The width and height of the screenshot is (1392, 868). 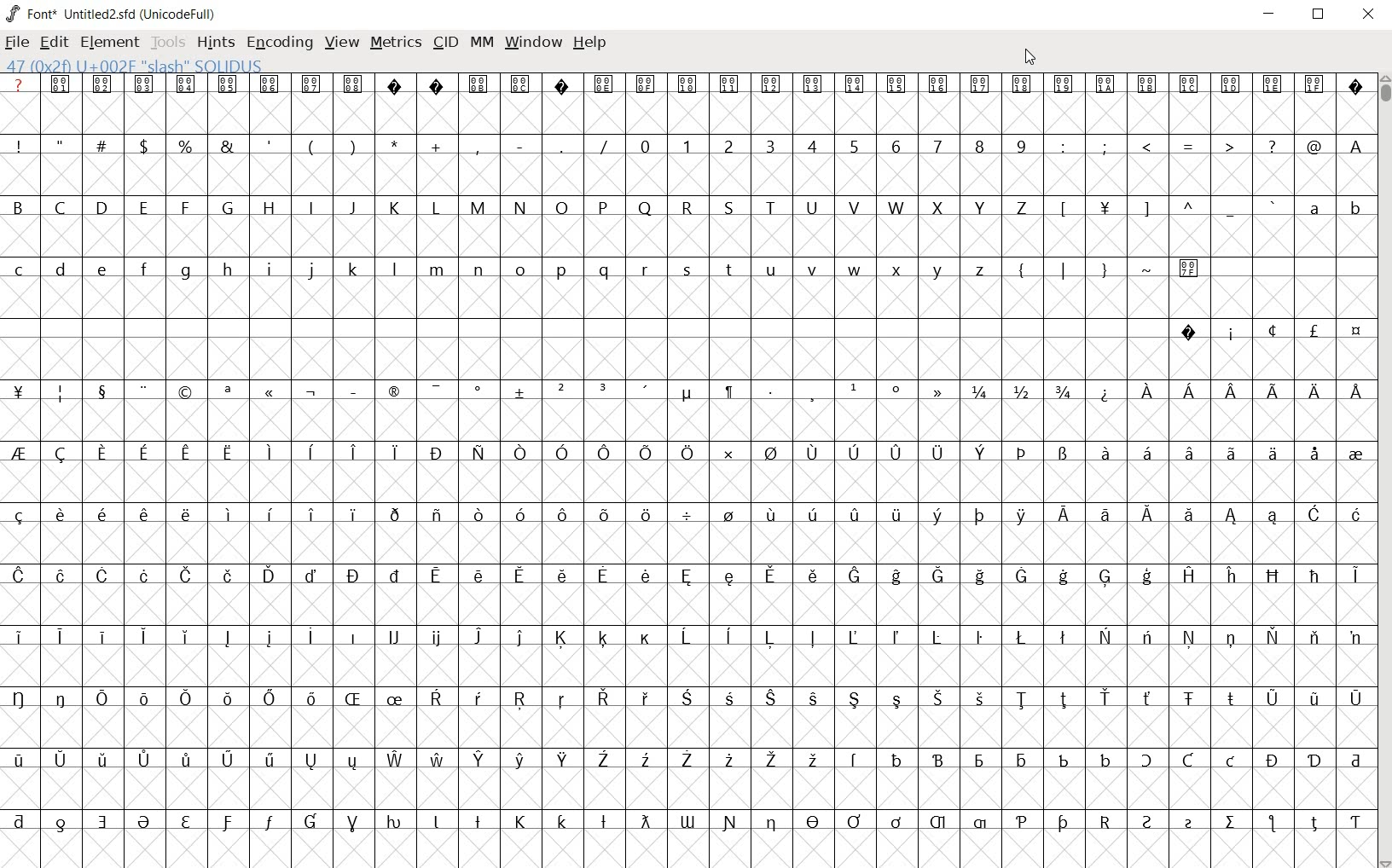 I want to click on special symbols, so click(x=685, y=84).